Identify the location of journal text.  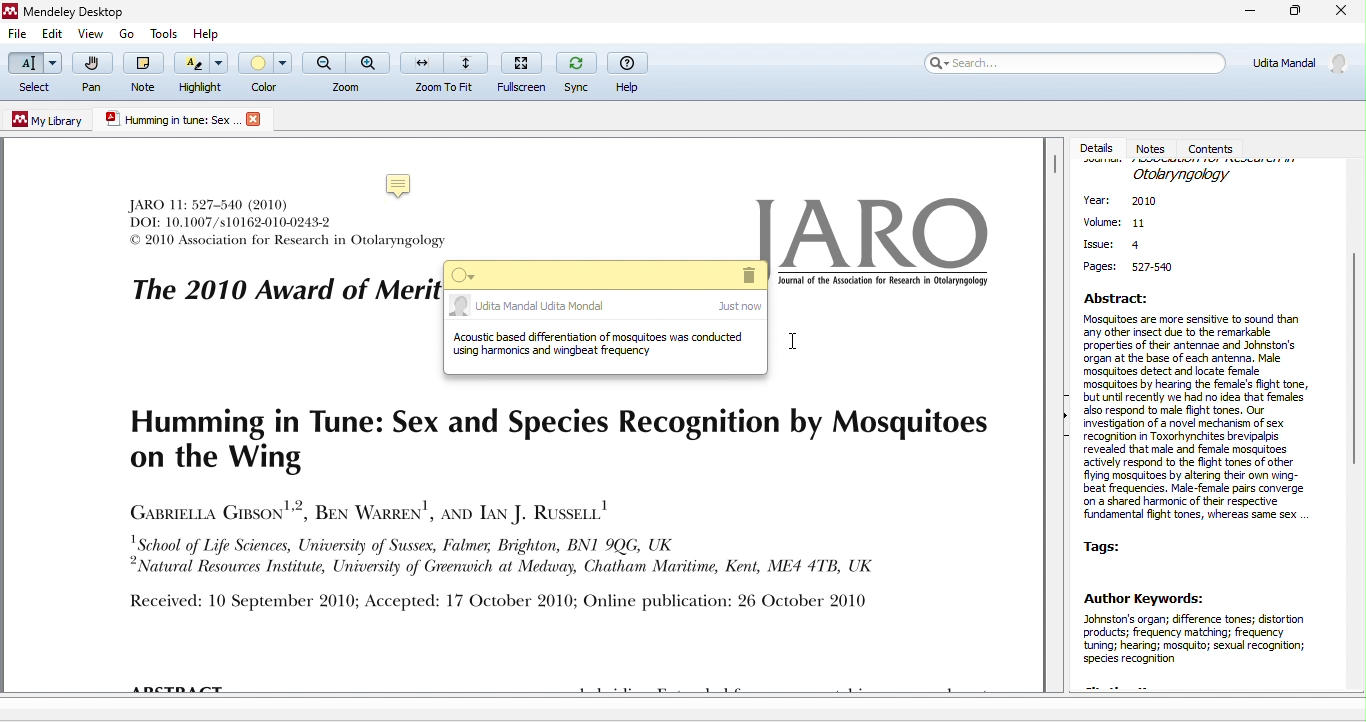
(286, 226).